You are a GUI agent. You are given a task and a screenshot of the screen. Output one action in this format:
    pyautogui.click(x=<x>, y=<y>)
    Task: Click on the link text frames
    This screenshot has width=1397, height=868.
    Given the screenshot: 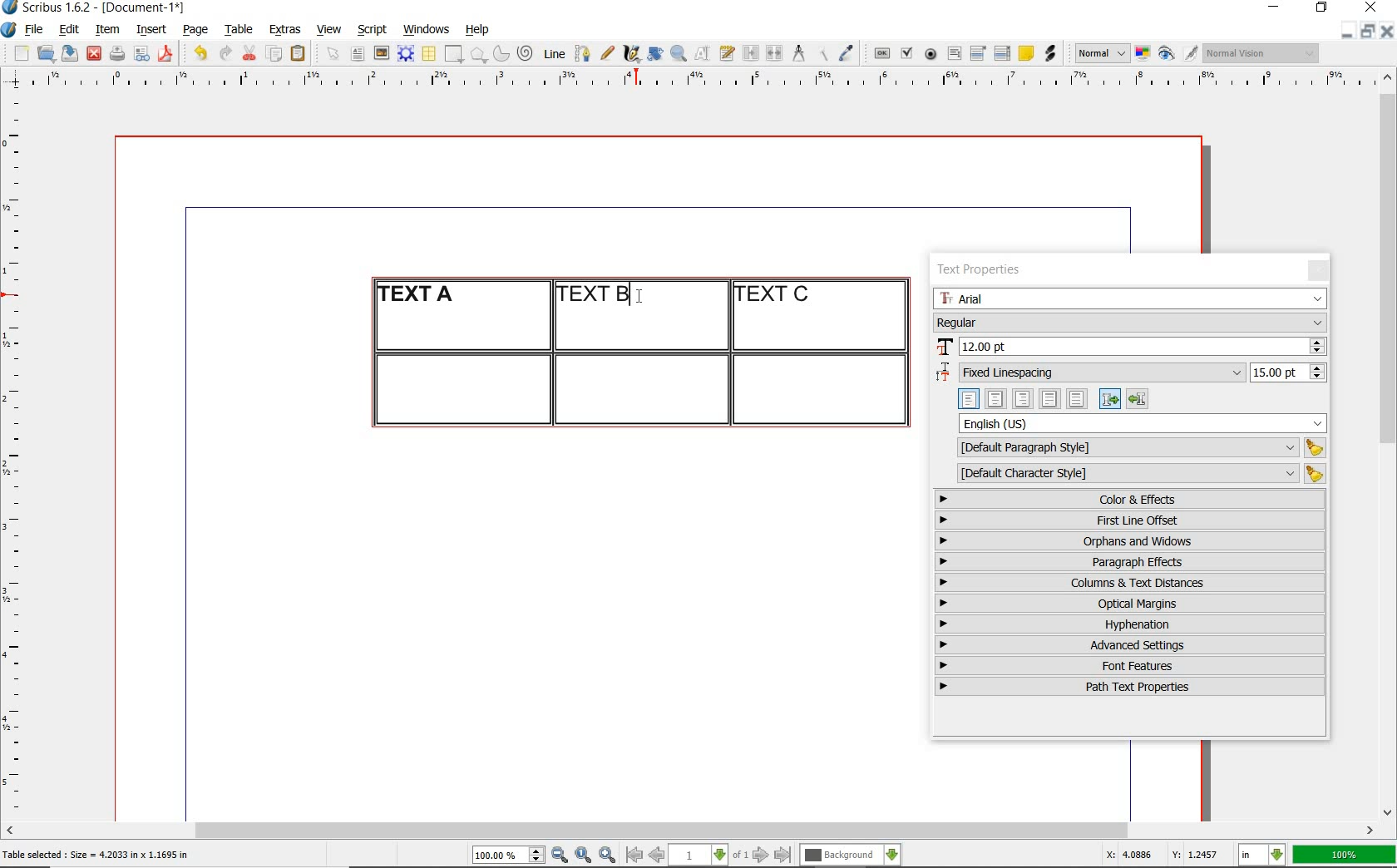 What is the action you would take?
    pyautogui.click(x=752, y=55)
    